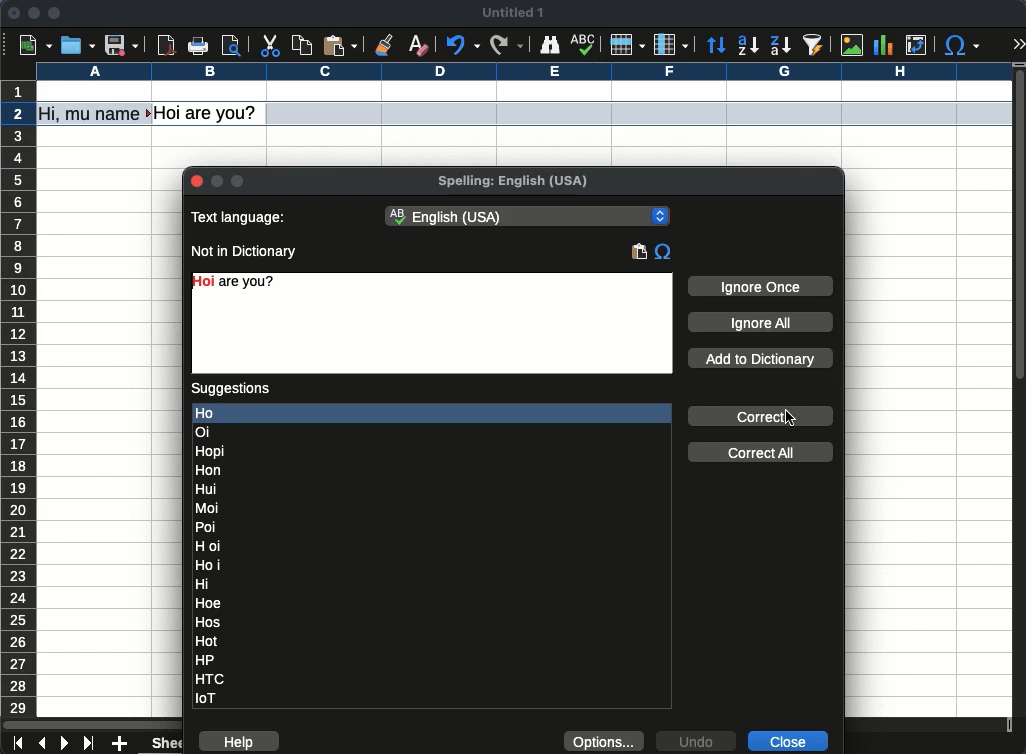  What do you see at coordinates (44, 744) in the screenshot?
I see `previous sheet` at bounding box center [44, 744].